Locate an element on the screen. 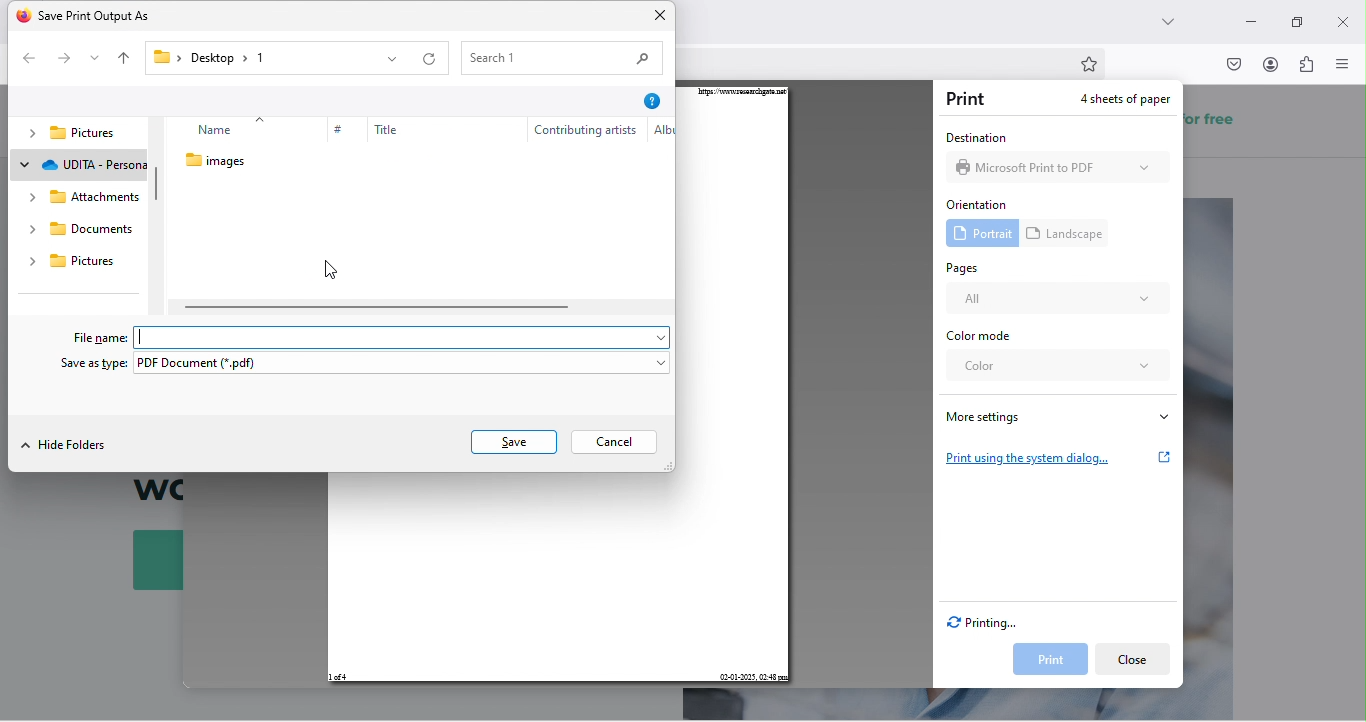 The width and height of the screenshot is (1366, 722). 02-01-2025, 02:48 pm is located at coordinates (755, 674).